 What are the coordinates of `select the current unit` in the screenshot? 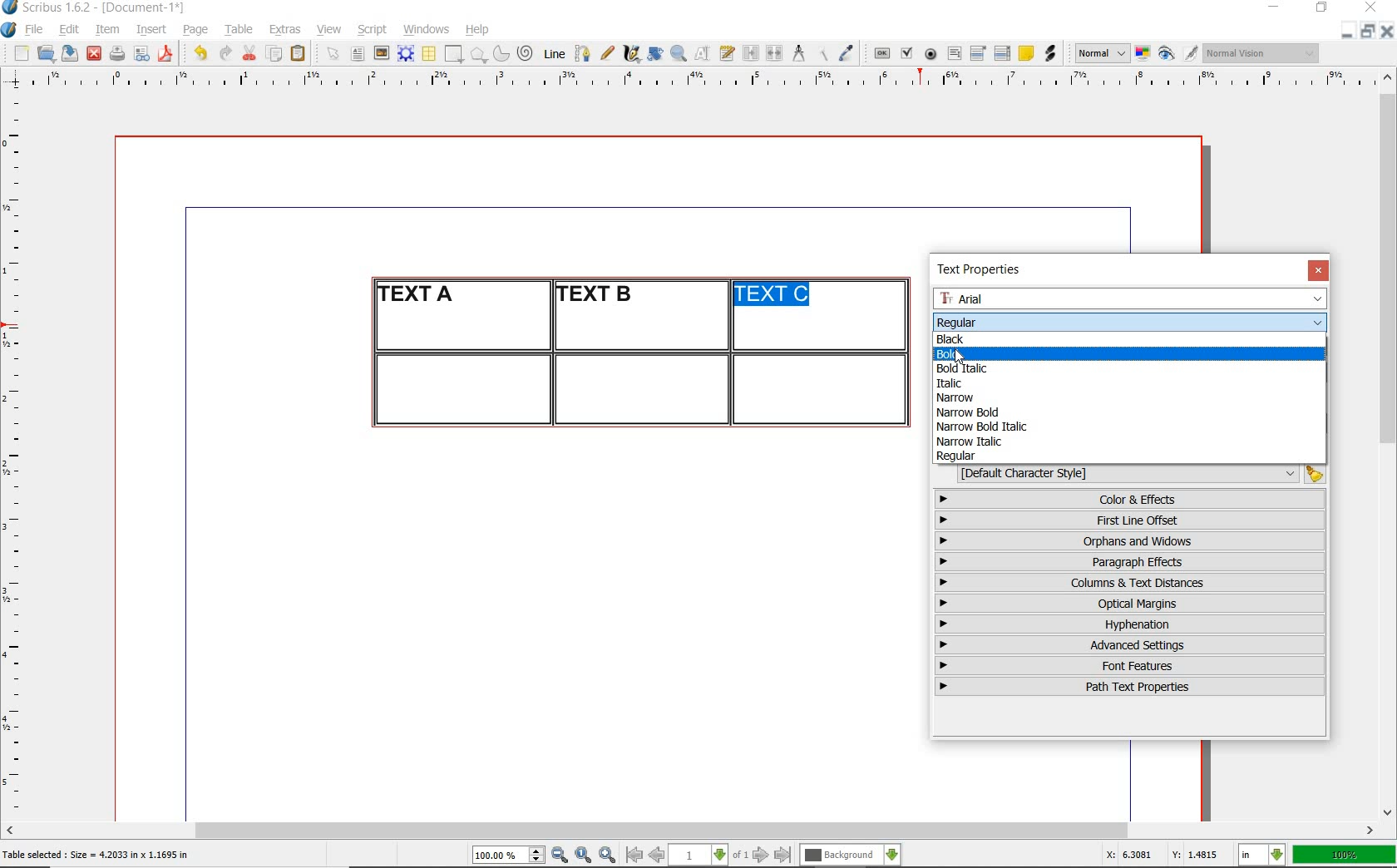 It's located at (1262, 856).